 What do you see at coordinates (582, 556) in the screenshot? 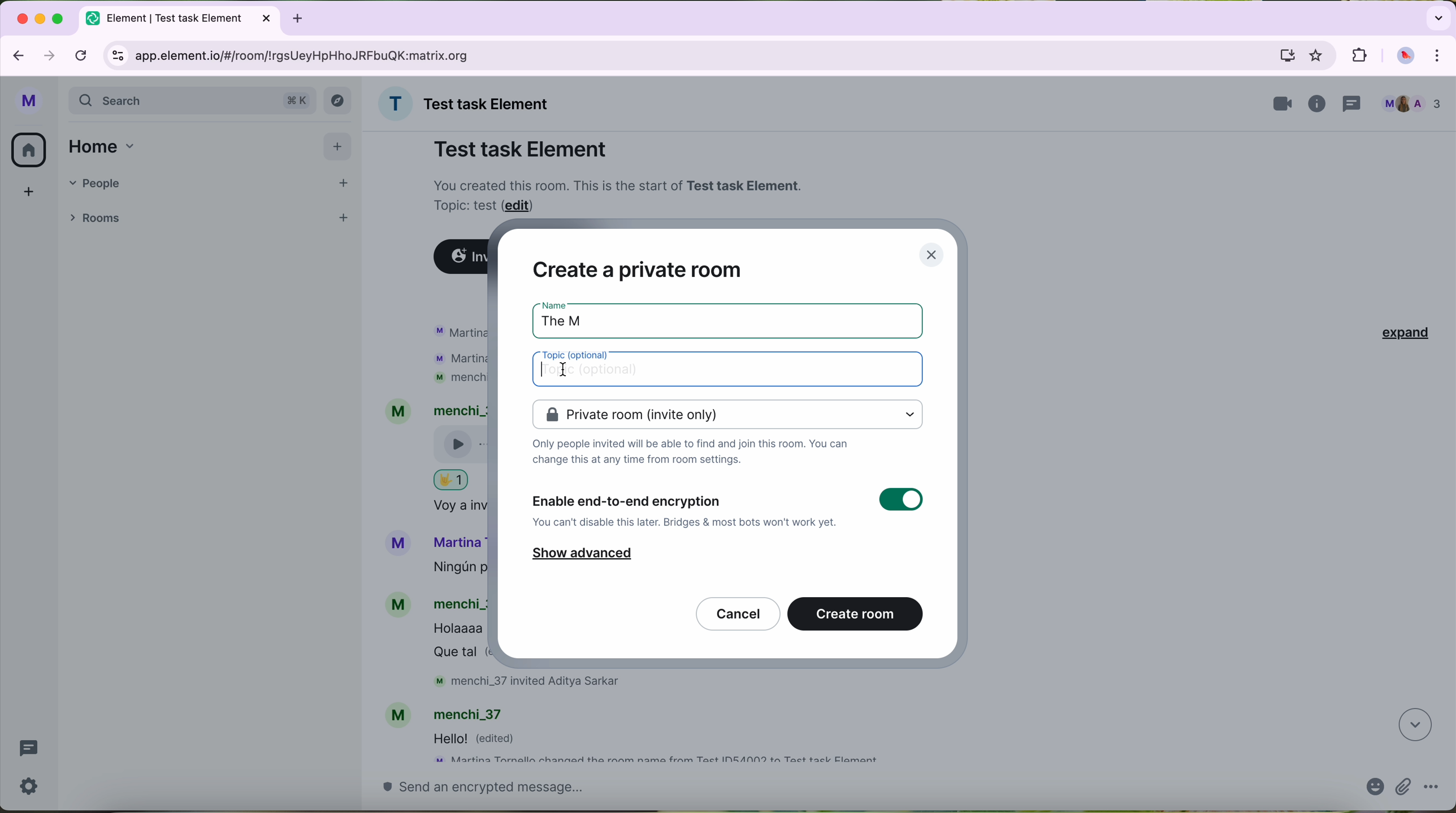
I see `show advanced` at bounding box center [582, 556].